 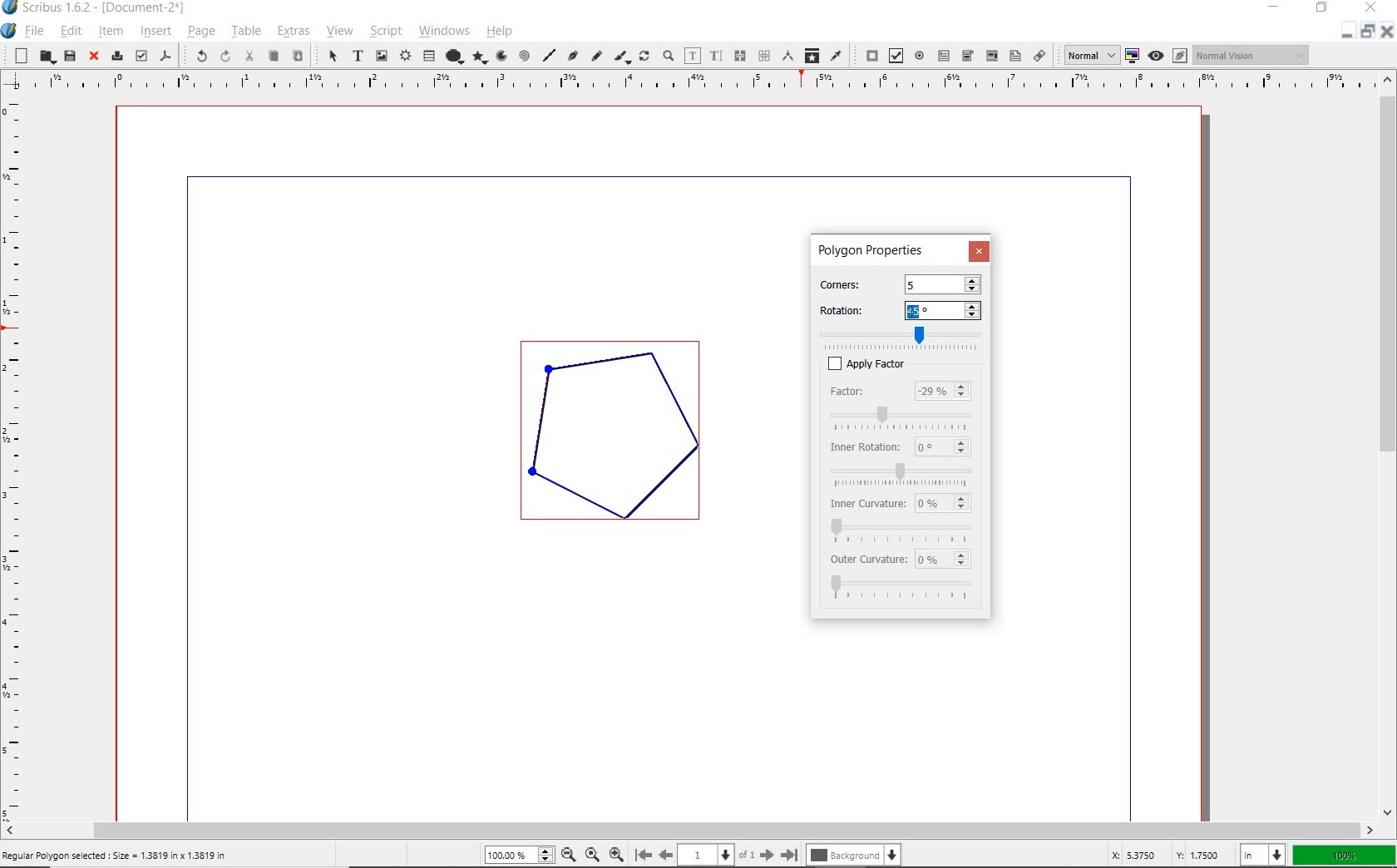 What do you see at coordinates (155, 31) in the screenshot?
I see `insert` at bounding box center [155, 31].